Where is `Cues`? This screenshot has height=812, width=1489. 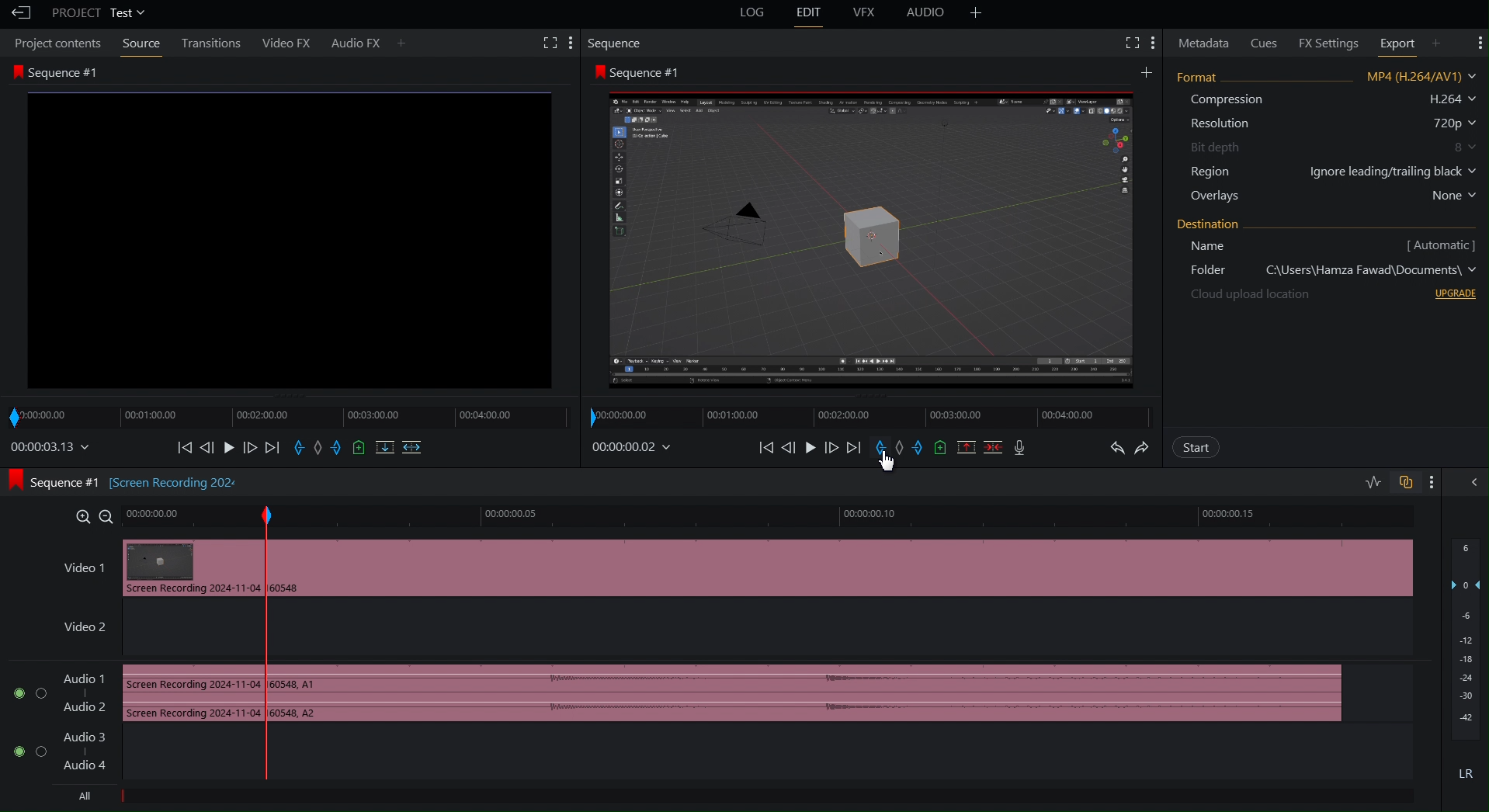 Cues is located at coordinates (1266, 41).